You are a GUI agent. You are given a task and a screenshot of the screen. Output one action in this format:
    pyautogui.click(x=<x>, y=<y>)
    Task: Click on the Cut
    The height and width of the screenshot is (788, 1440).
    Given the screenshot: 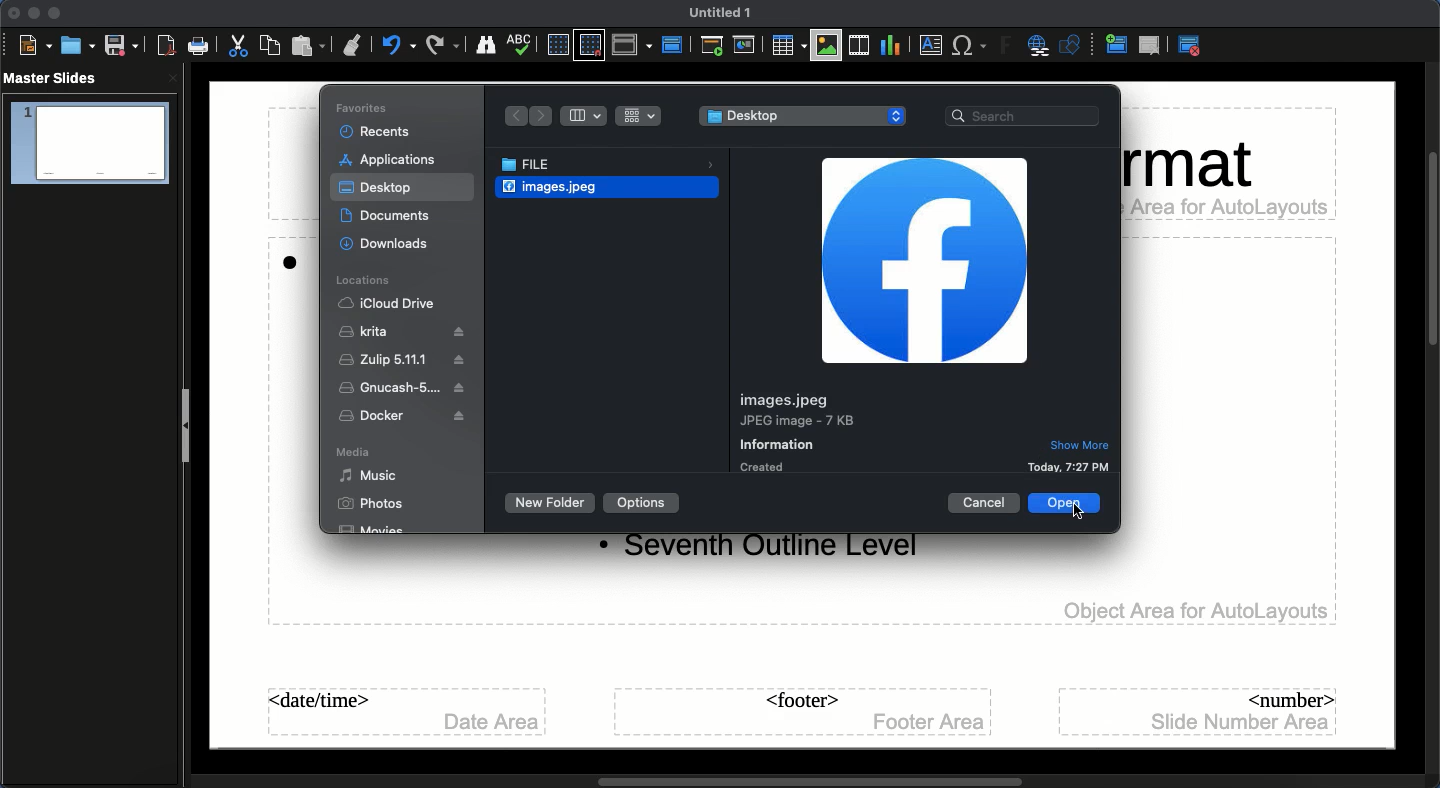 What is the action you would take?
    pyautogui.click(x=238, y=46)
    